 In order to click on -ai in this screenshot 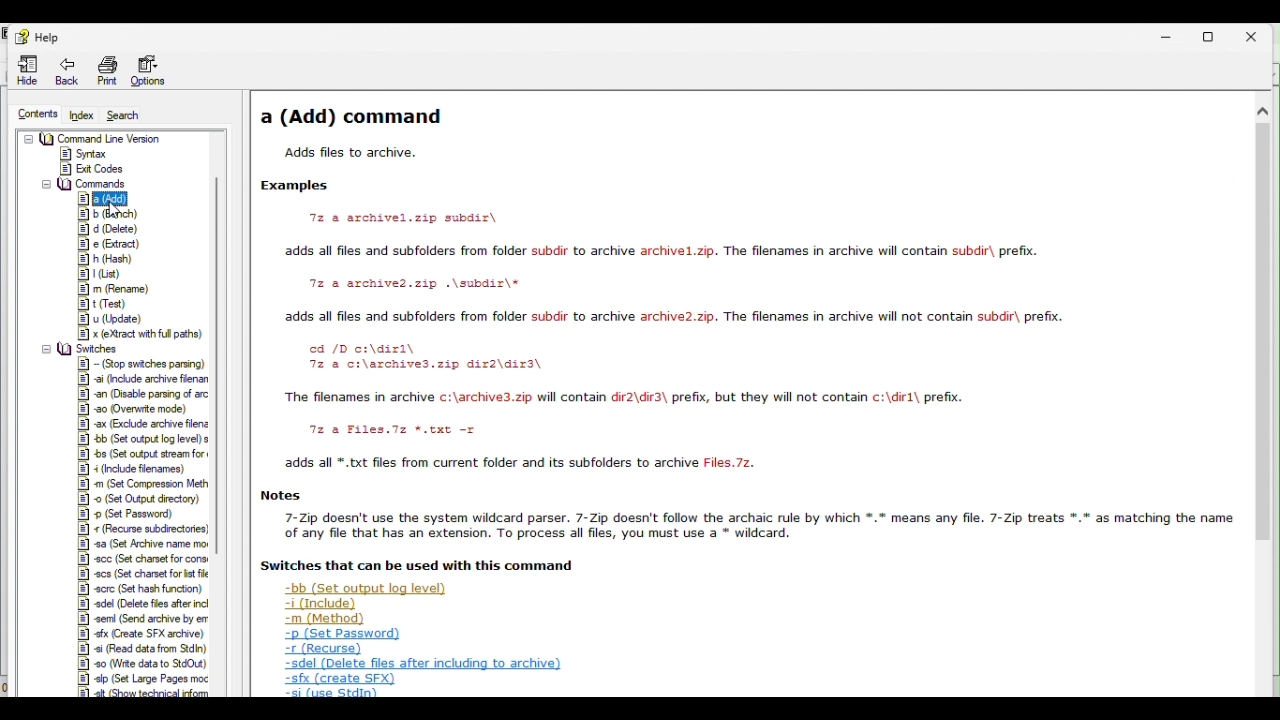, I will do `click(144, 379)`.